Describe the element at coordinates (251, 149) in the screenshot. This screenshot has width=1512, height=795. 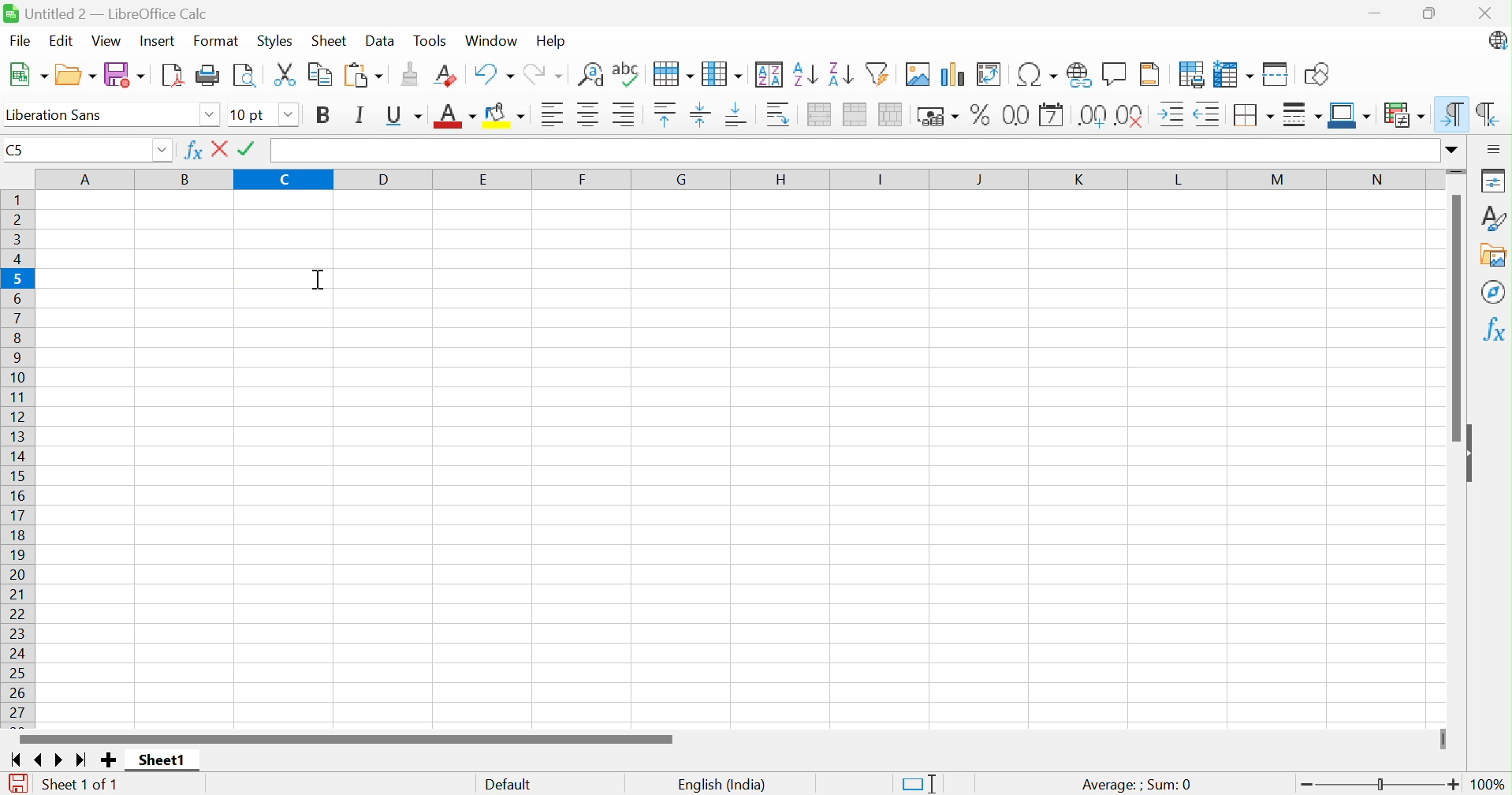
I see `Tick` at that location.